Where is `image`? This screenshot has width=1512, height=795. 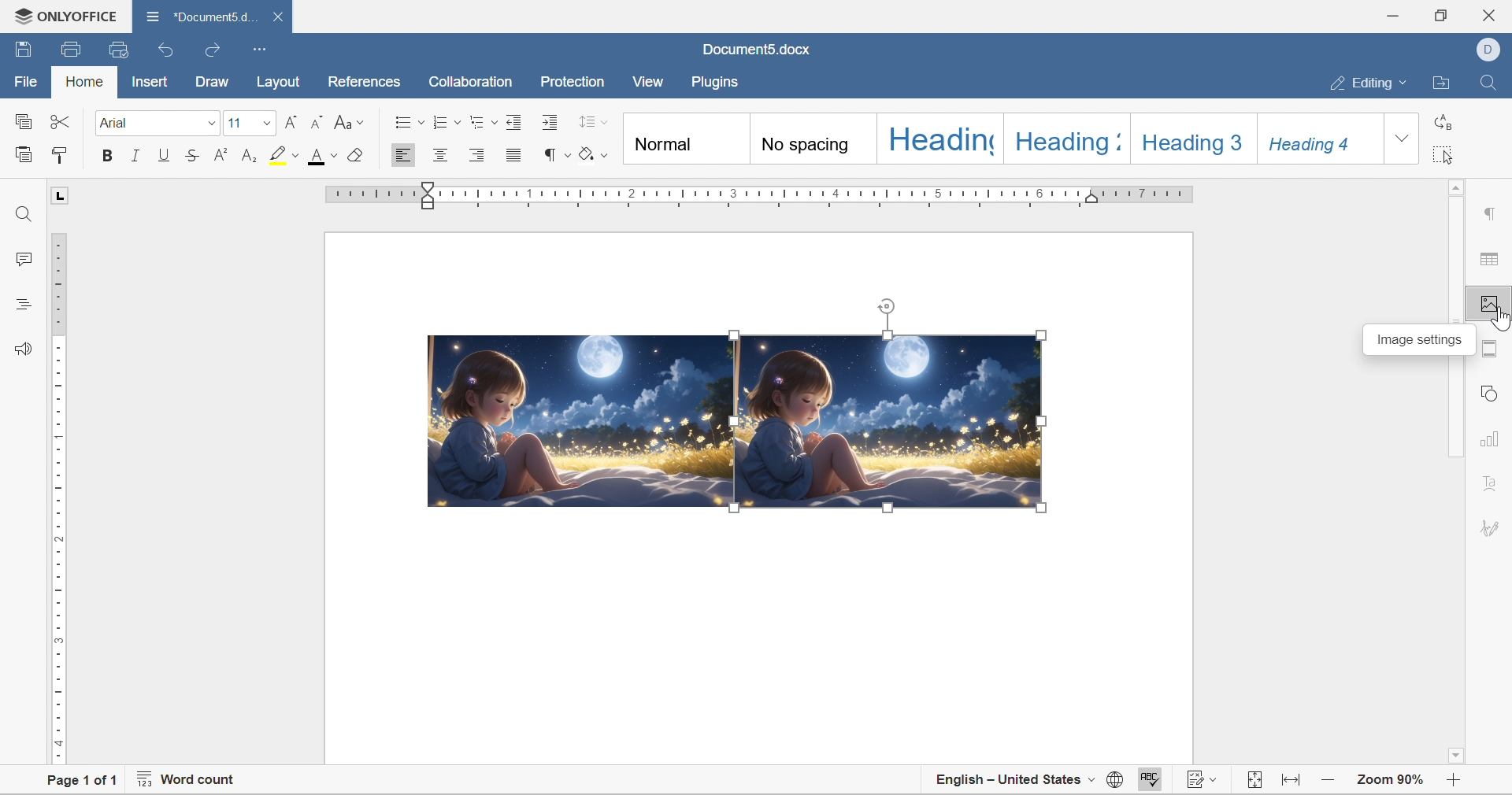 image is located at coordinates (891, 422).